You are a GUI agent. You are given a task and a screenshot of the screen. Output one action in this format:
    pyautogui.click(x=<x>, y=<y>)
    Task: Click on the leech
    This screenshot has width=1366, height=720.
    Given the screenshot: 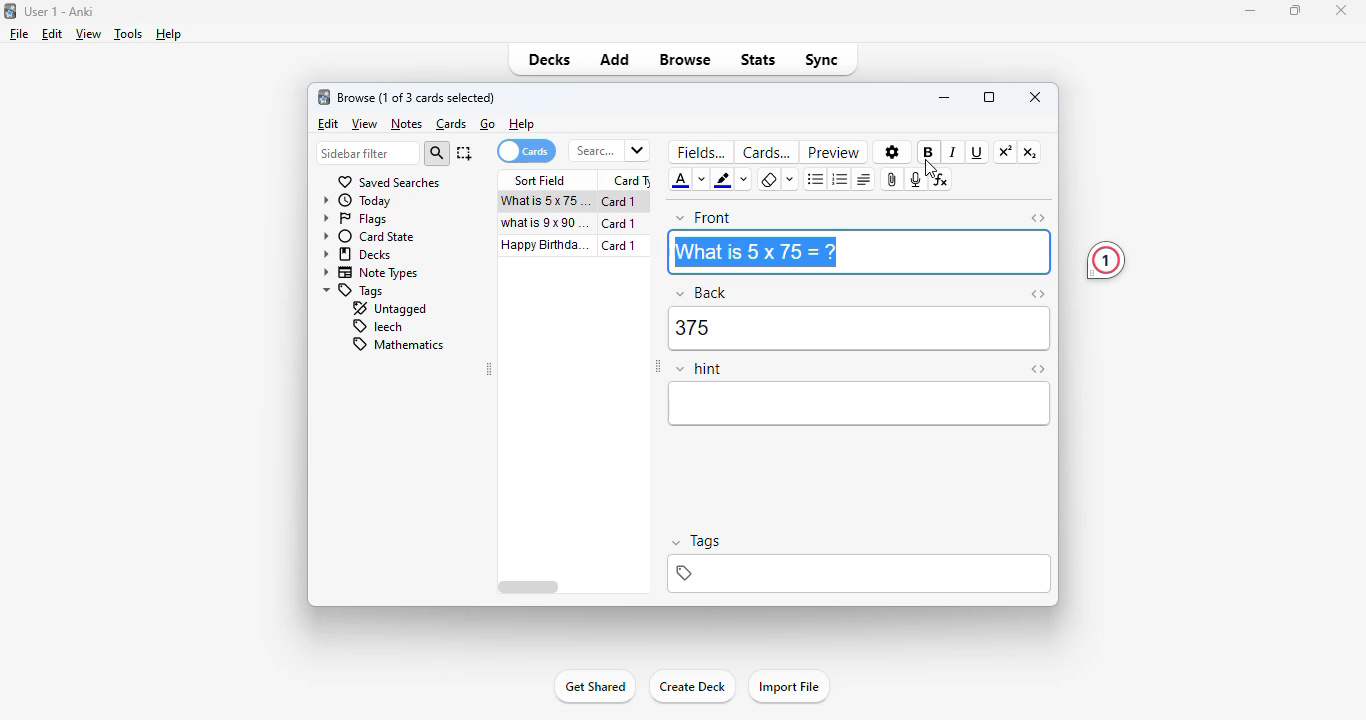 What is the action you would take?
    pyautogui.click(x=377, y=327)
    